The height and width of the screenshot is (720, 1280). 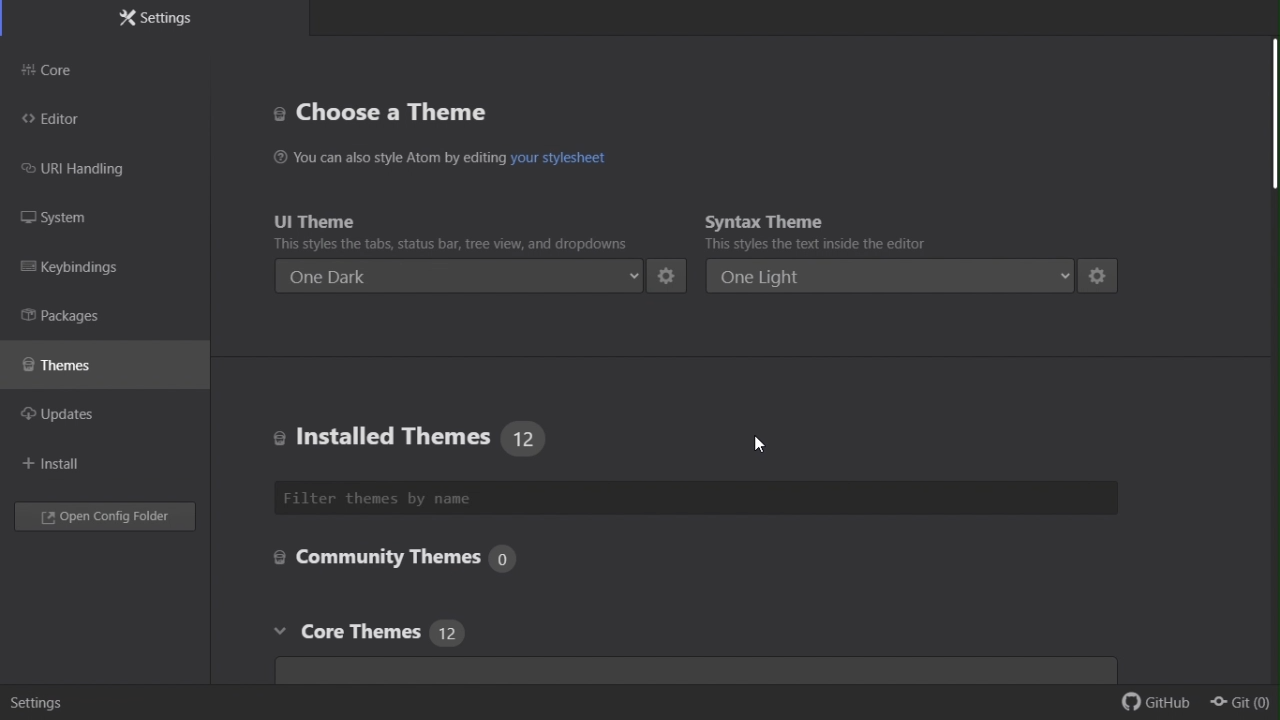 What do you see at coordinates (83, 371) in the screenshot?
I see `Themes` at bounding box center [83, 371].